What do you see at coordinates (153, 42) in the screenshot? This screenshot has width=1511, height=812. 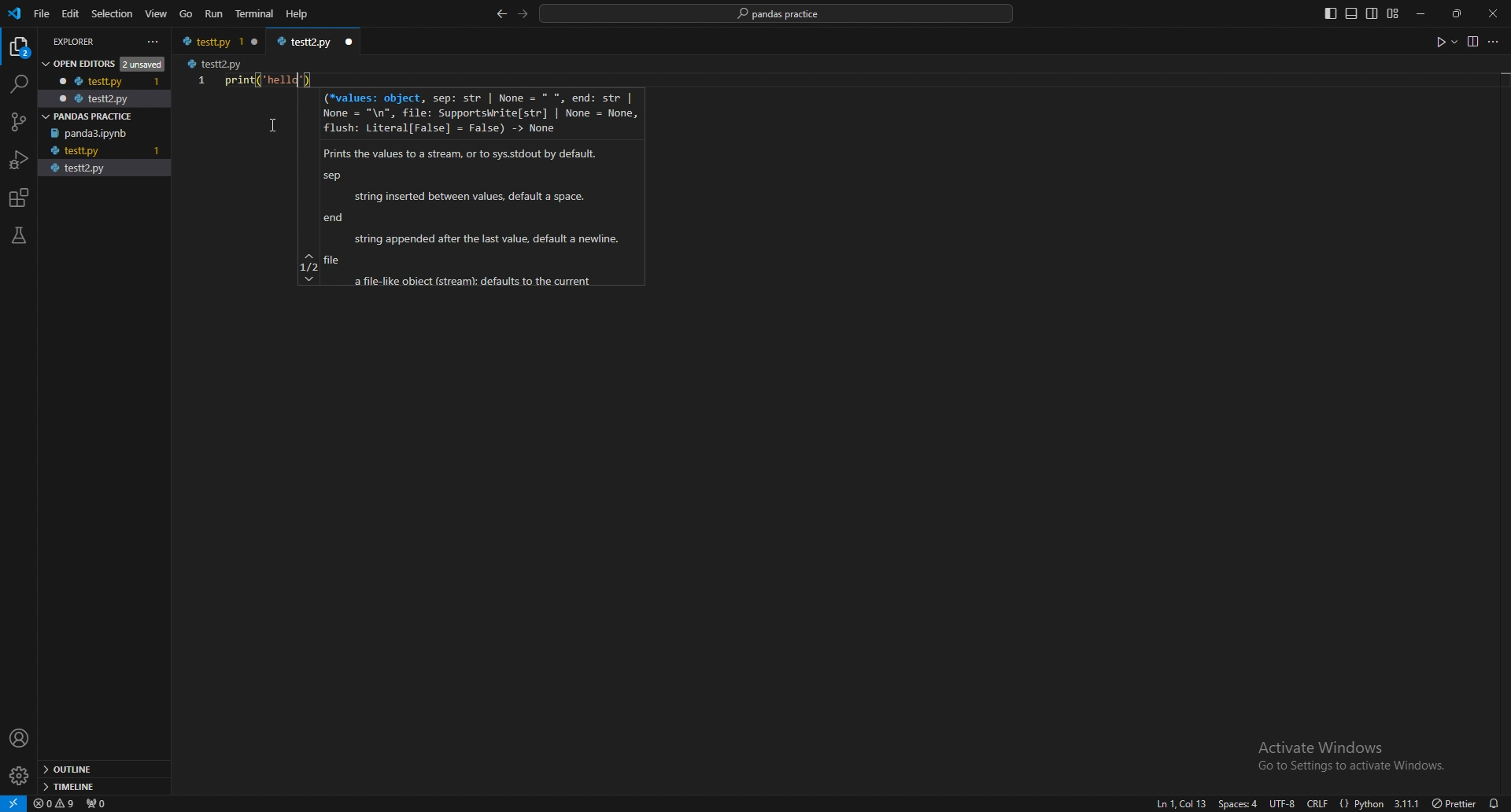 I see `more actions` at bounding box center [153, 42].